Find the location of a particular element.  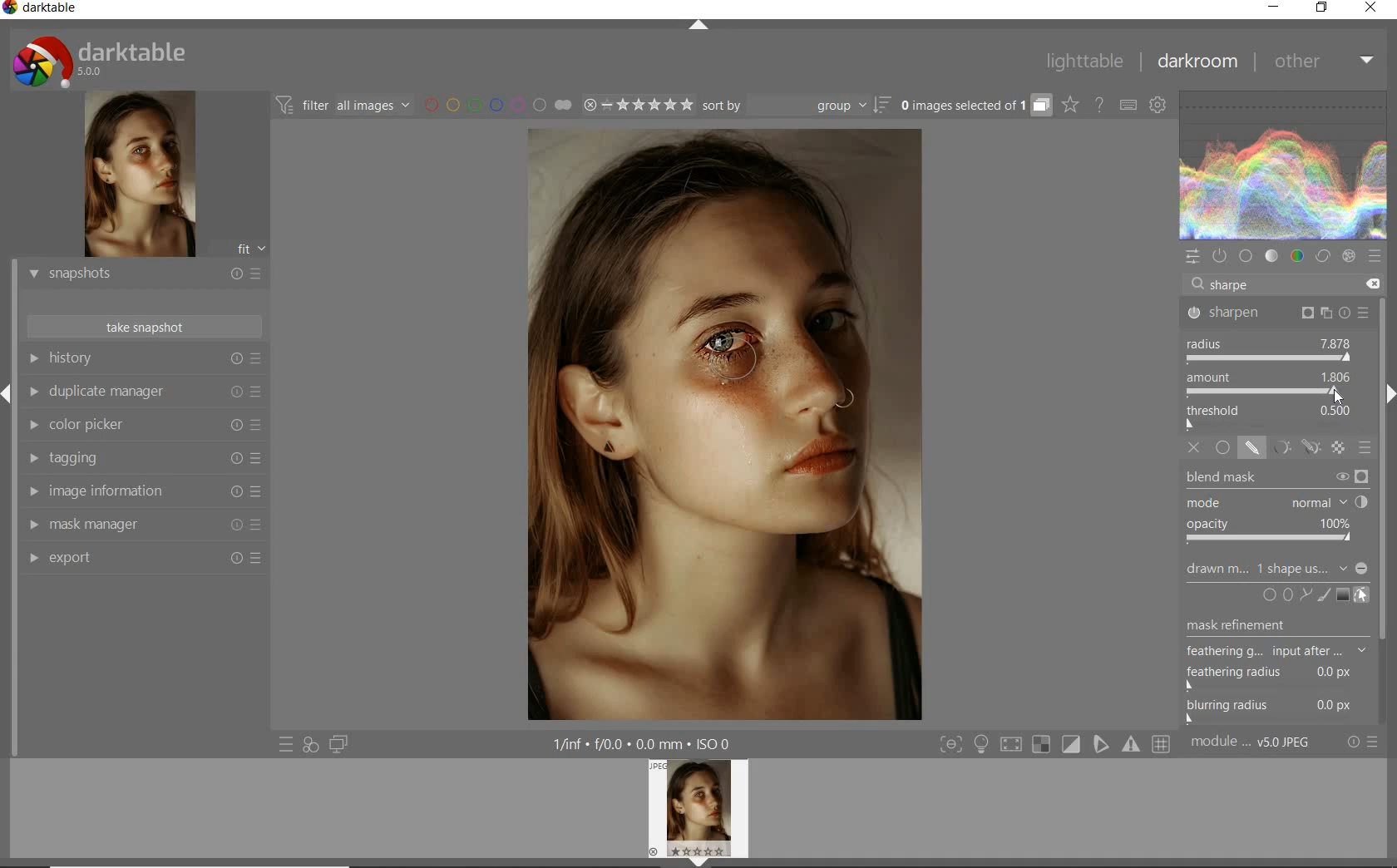

darkroom is located at coordinates (1198, 64).